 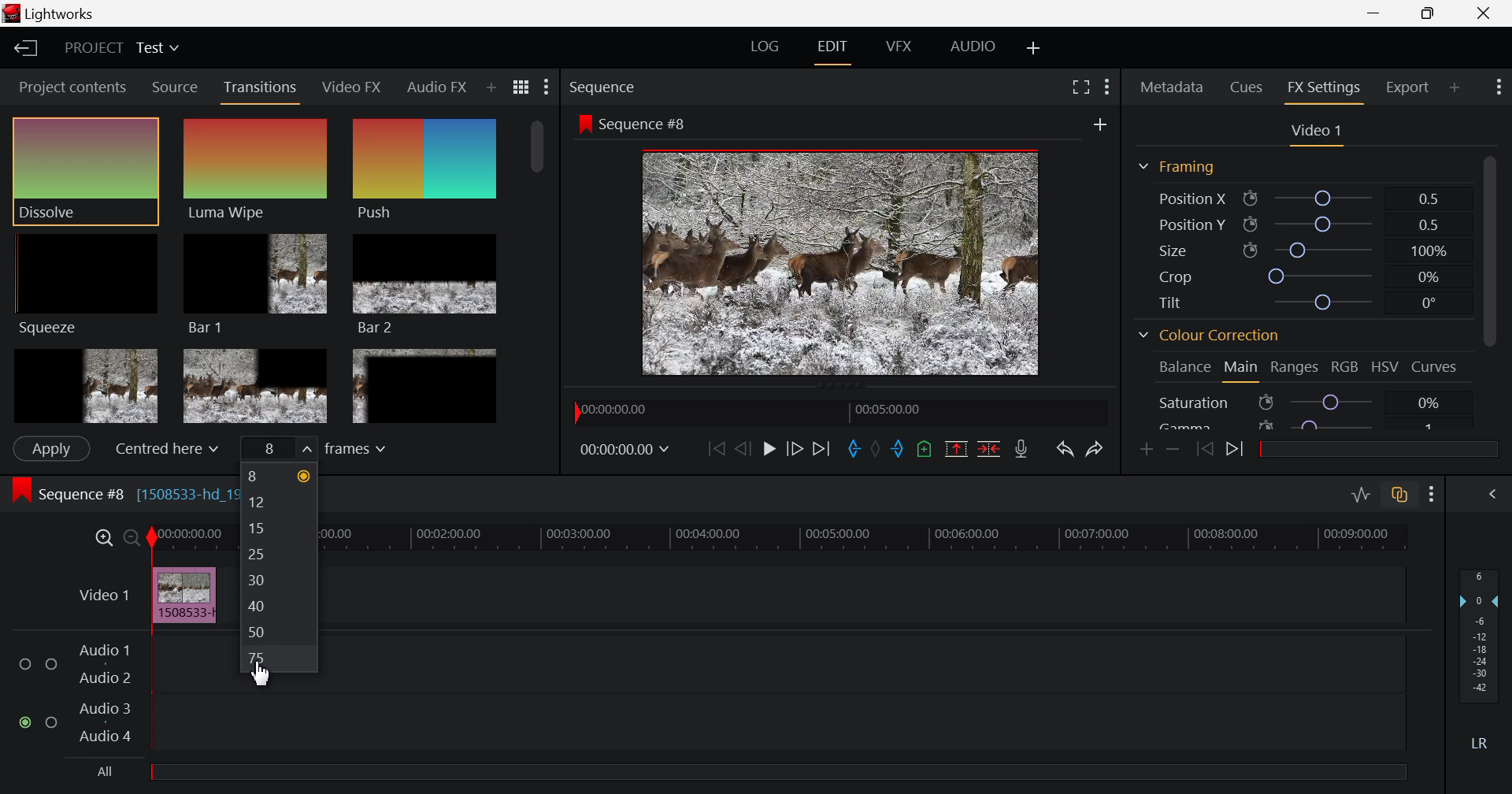 What do you see at coordinates (844, 262) in the screenshot?
I see `Sequence Preview Screen` at bounding box center [844, 262].